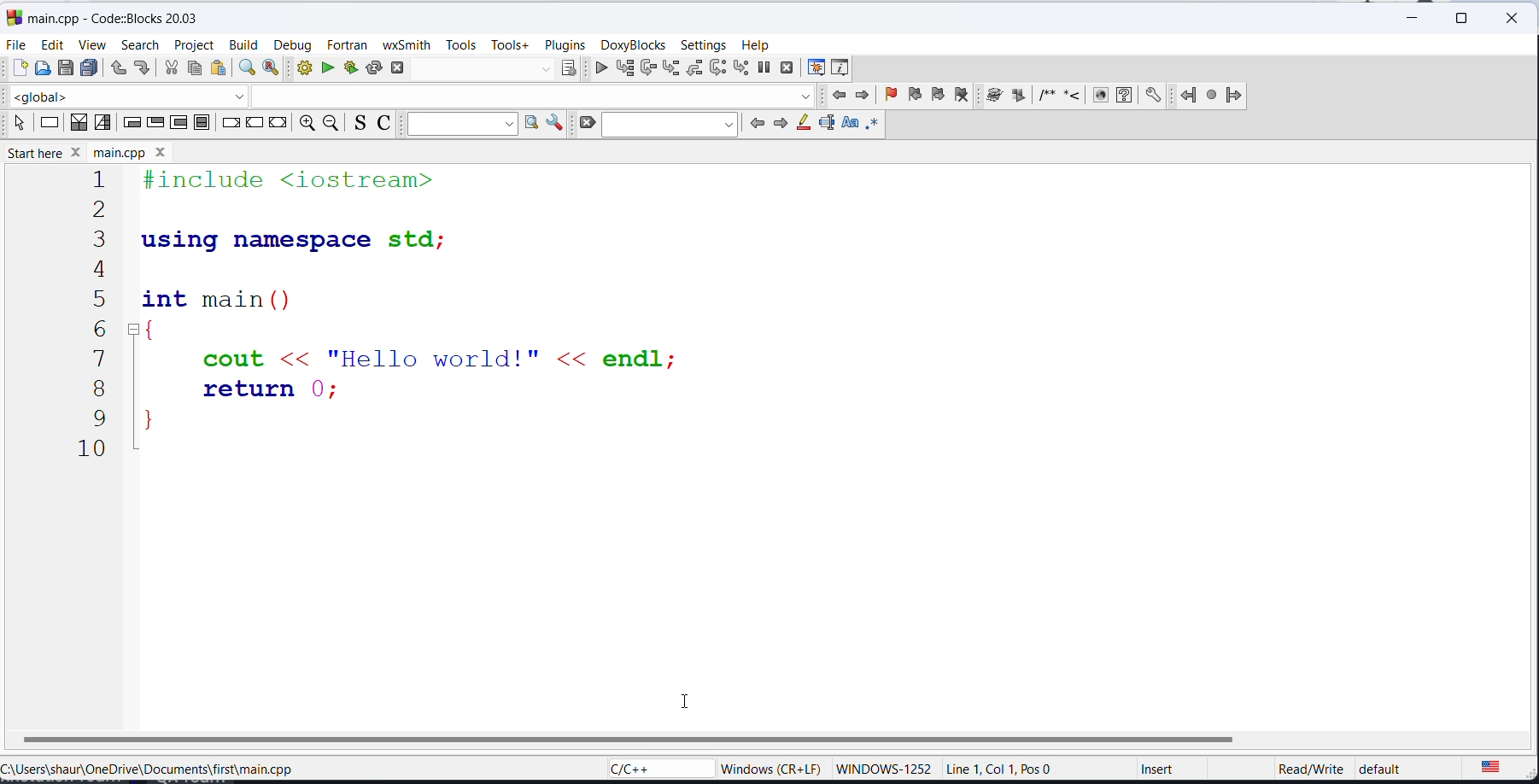 This screenshot has width=1539, height=784. What do you see at coordinates (1513, 20) in the screenshot?
I see `close` at bounding box center [1513, 20].